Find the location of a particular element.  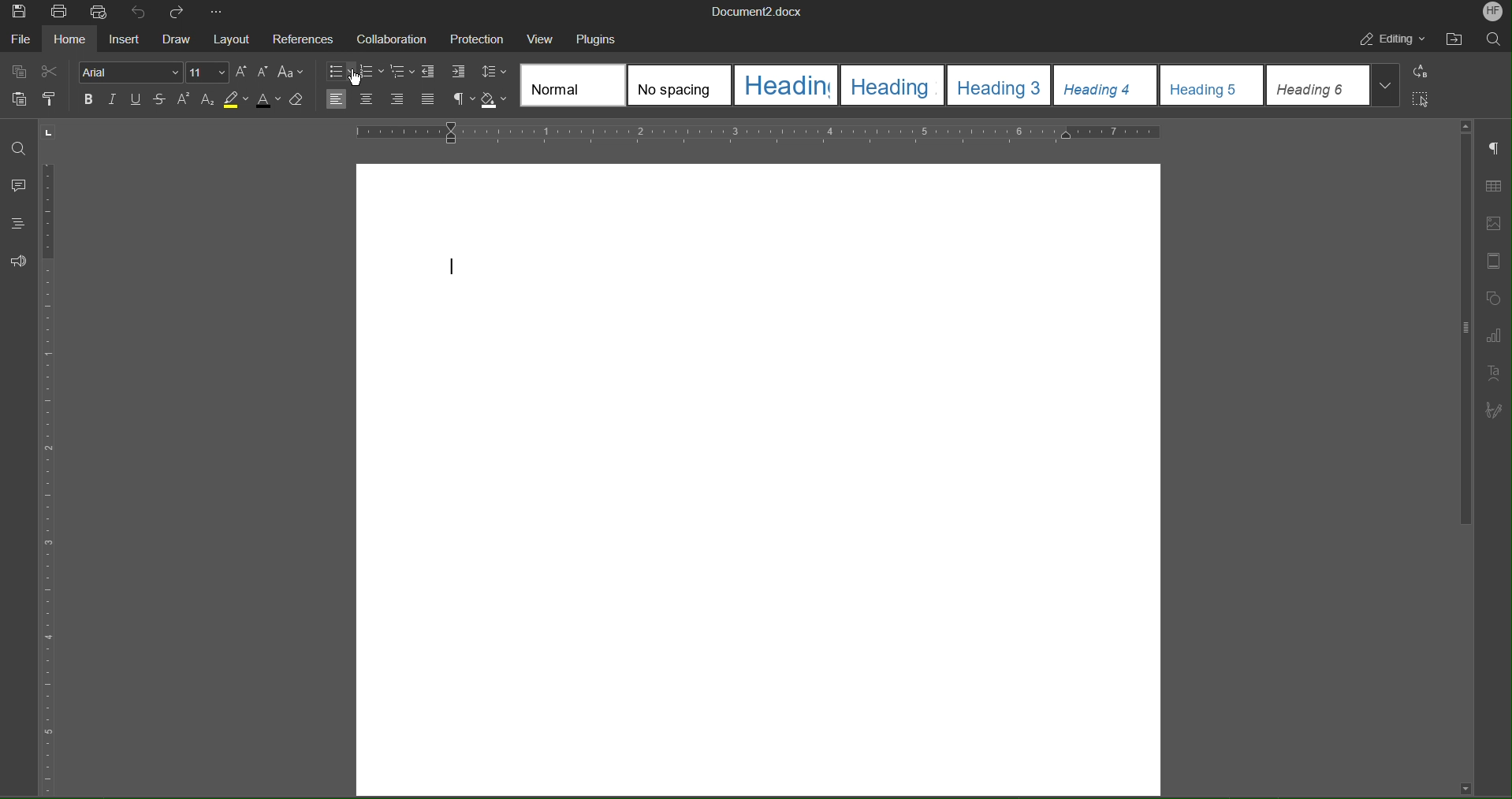

Open File Location is located at coordinates (1458, 36).